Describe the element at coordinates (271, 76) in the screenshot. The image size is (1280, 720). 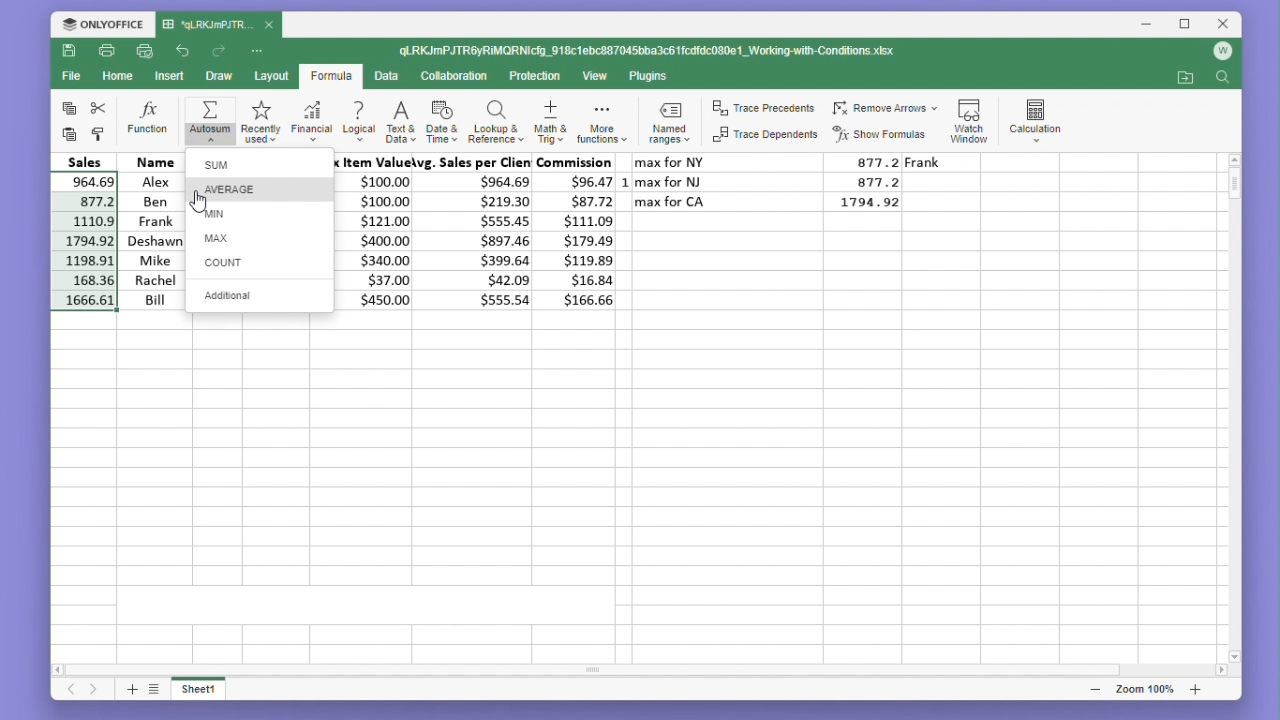
I see `Layout` at that location.